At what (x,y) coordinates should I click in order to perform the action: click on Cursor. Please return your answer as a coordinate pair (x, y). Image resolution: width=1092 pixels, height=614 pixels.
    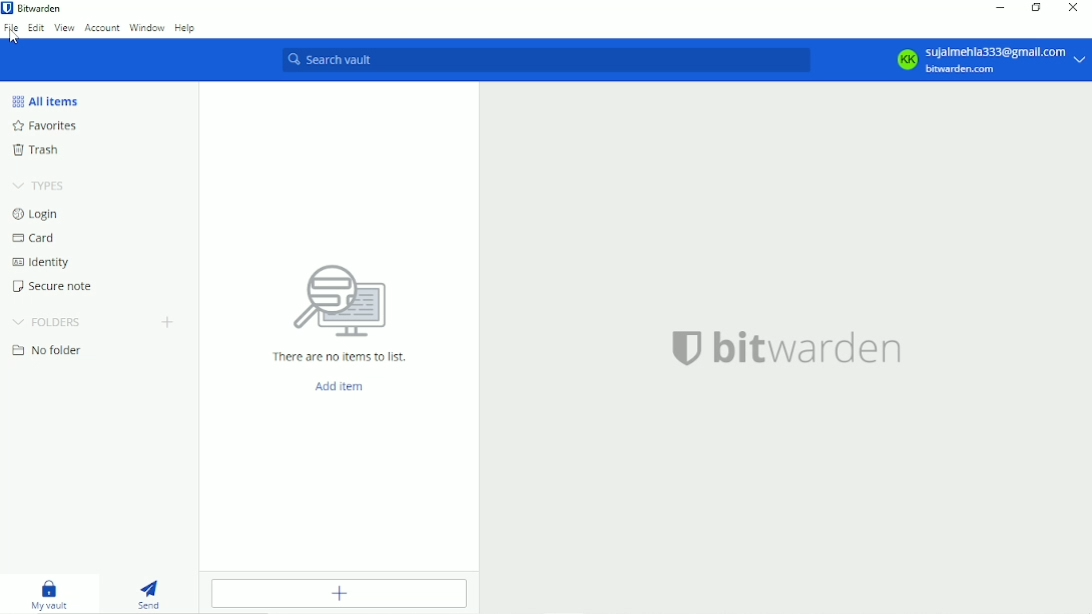
    Looking at the image, I should click on (14, 37).